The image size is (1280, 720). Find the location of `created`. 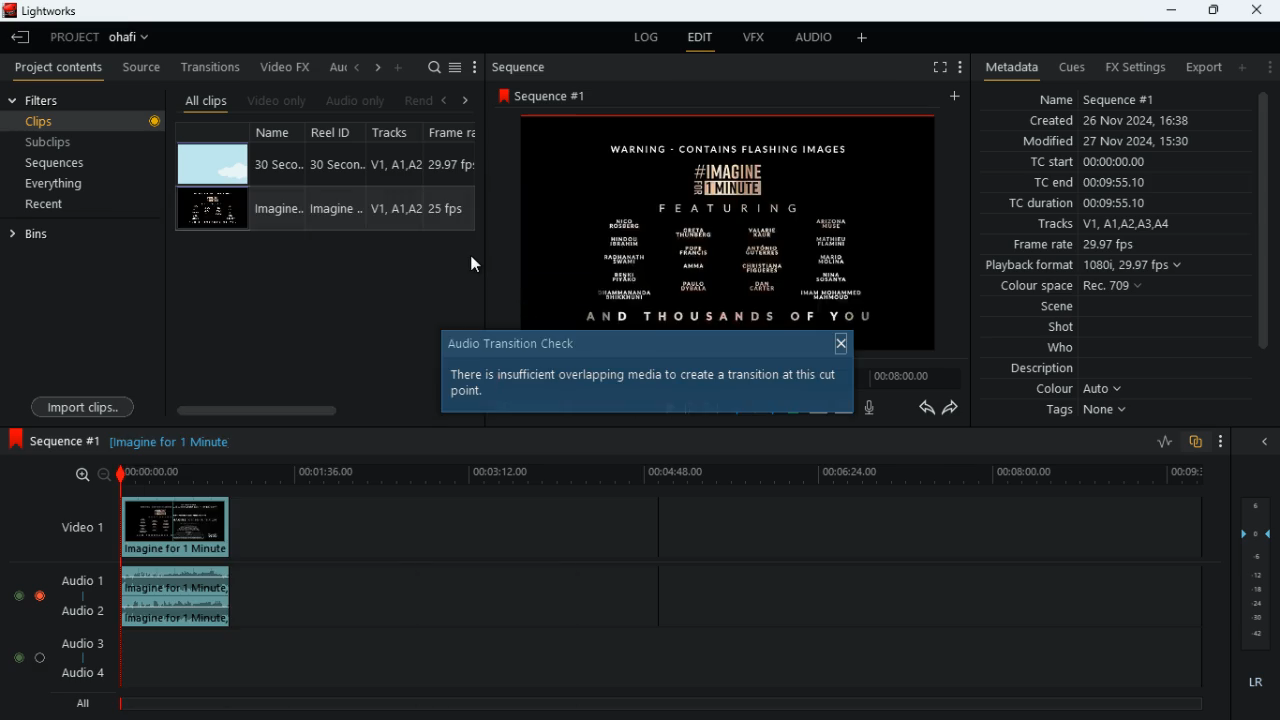

created is located at coordinates (1111, 122).